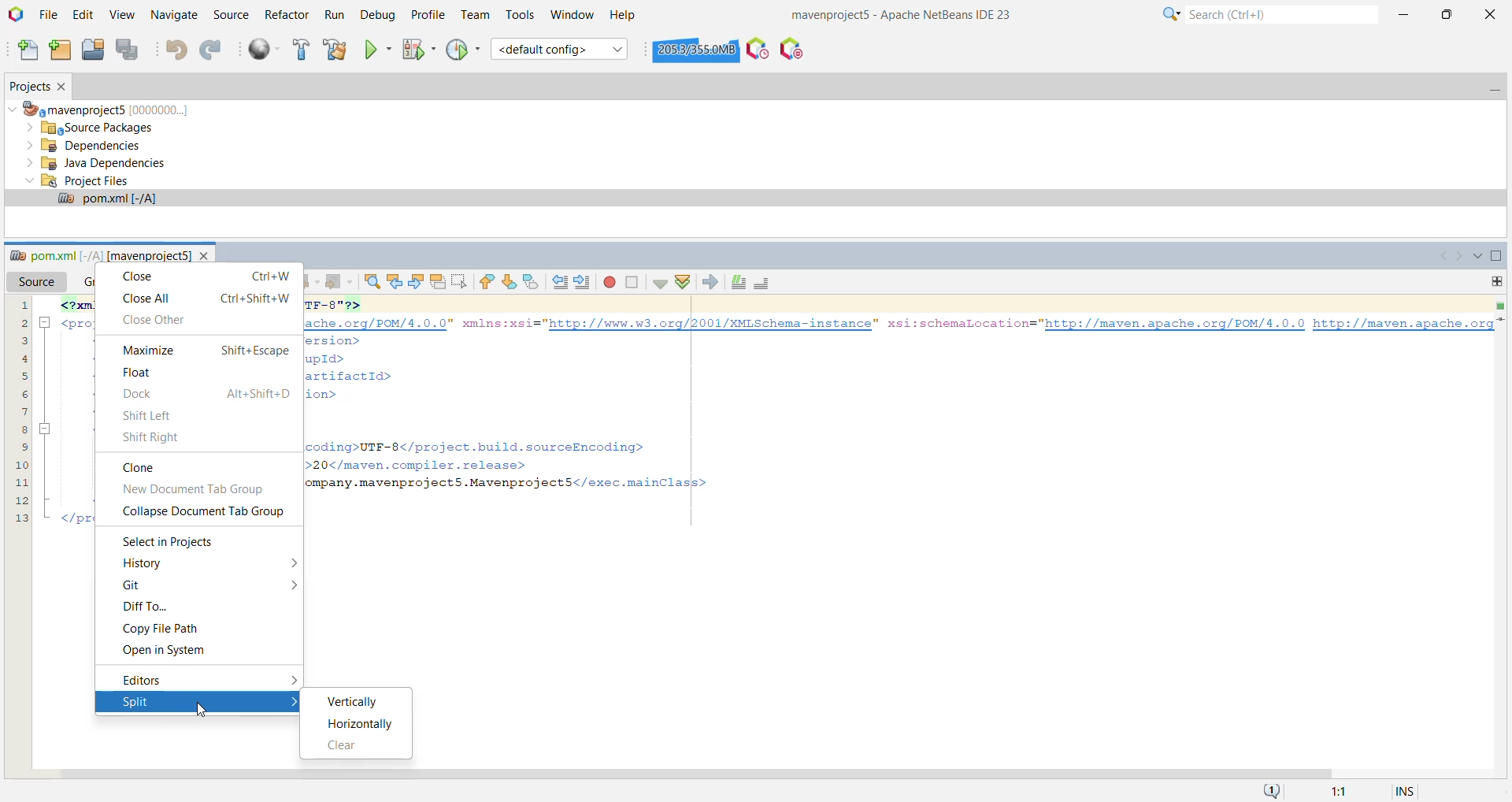  Describe the element at coordinates (438, 282) in the screenshot. I see `Toggle Highlight Search` at that location.